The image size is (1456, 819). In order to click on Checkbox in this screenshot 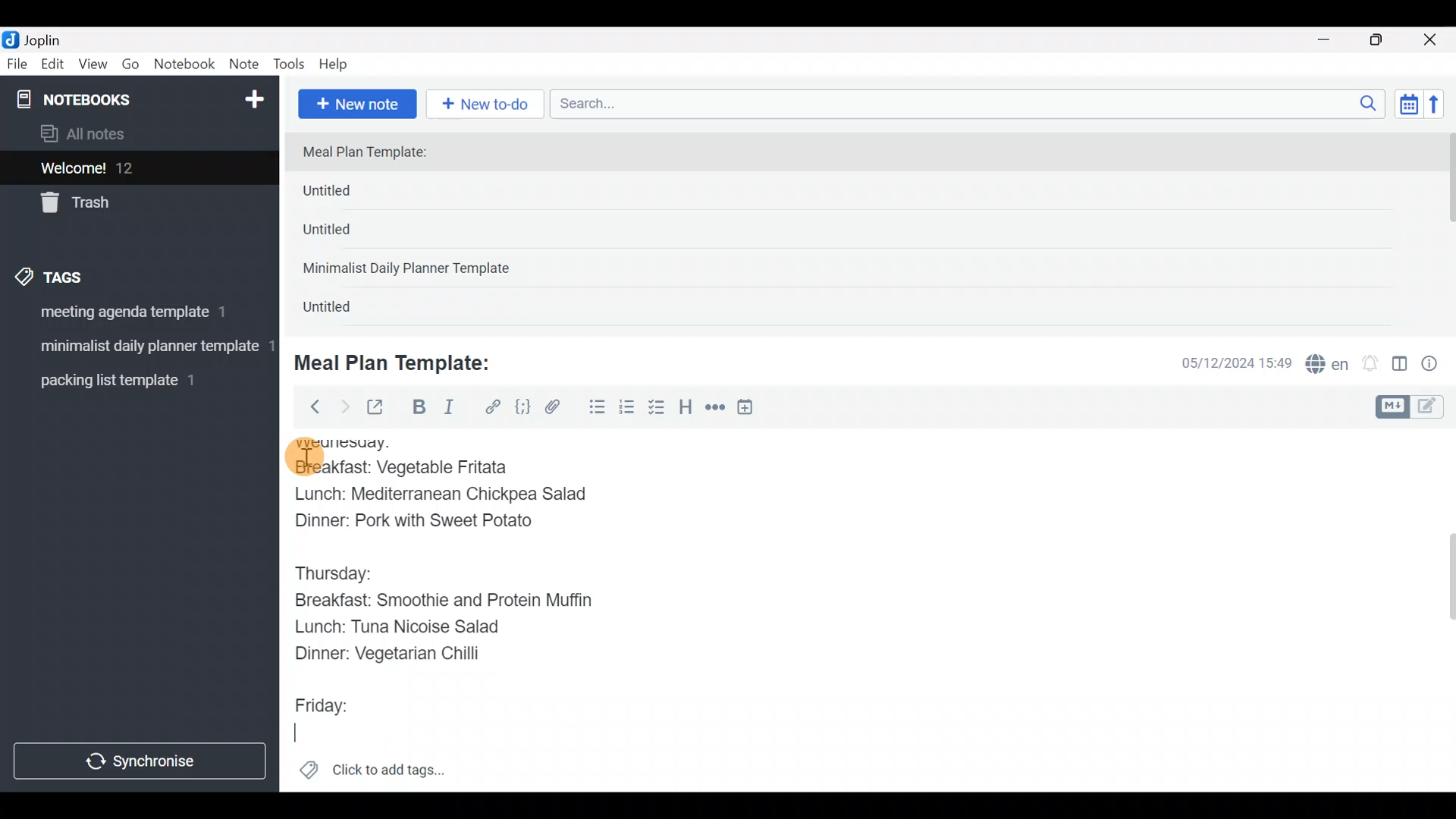, I will do `click(658, 409)`.